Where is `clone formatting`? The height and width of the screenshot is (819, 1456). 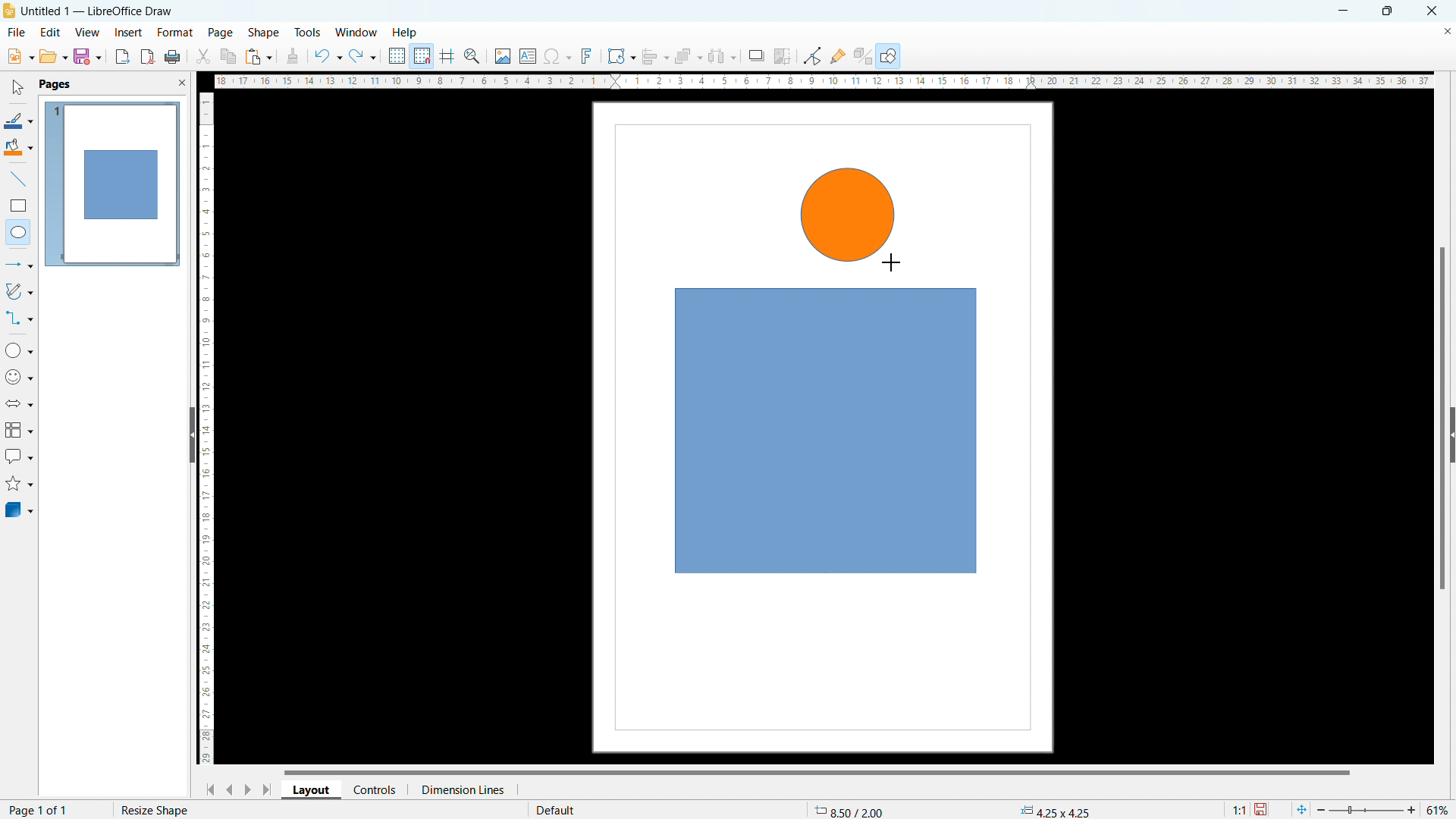
clone formatting is located at coordinates (293, 57).